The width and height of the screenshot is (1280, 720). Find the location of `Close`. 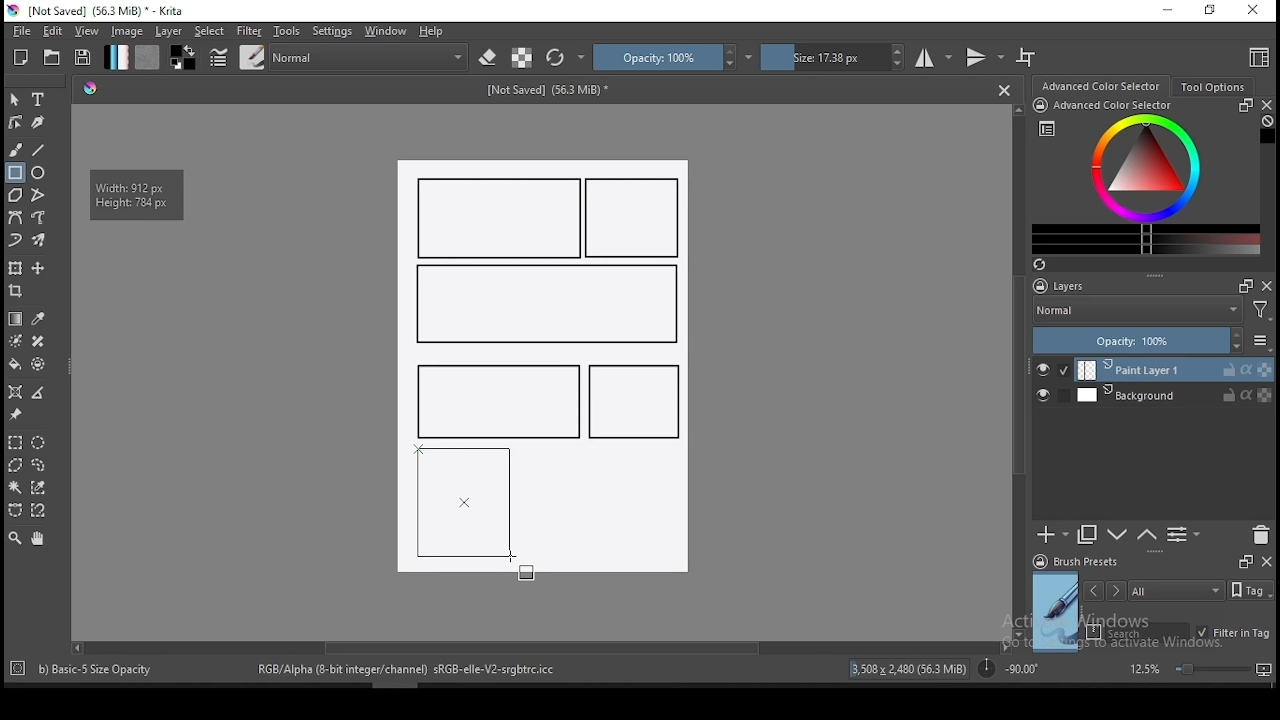

Close is located at coordinates (1004, 89).